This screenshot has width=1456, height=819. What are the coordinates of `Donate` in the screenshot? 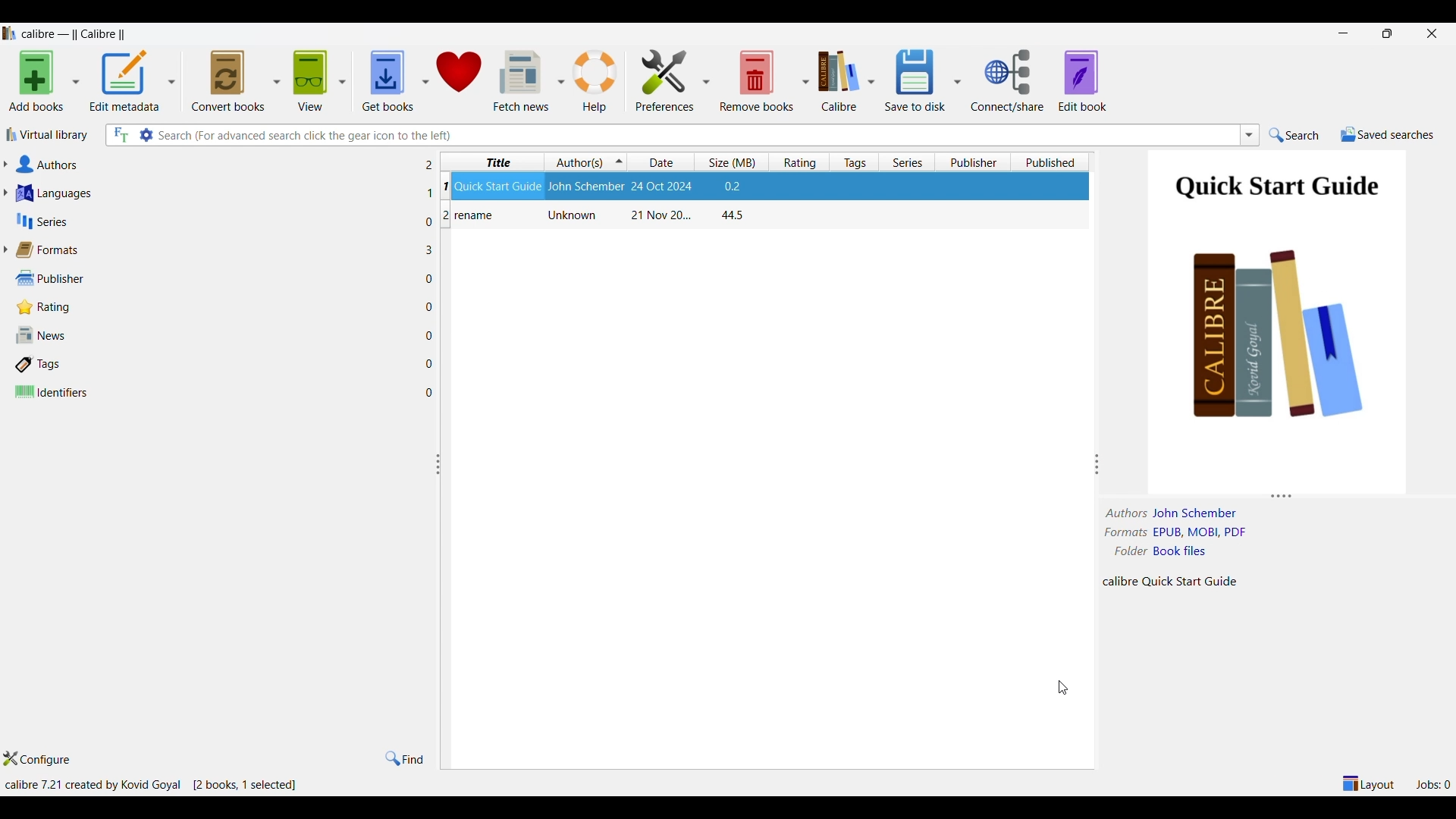 It's located at (460, 80).